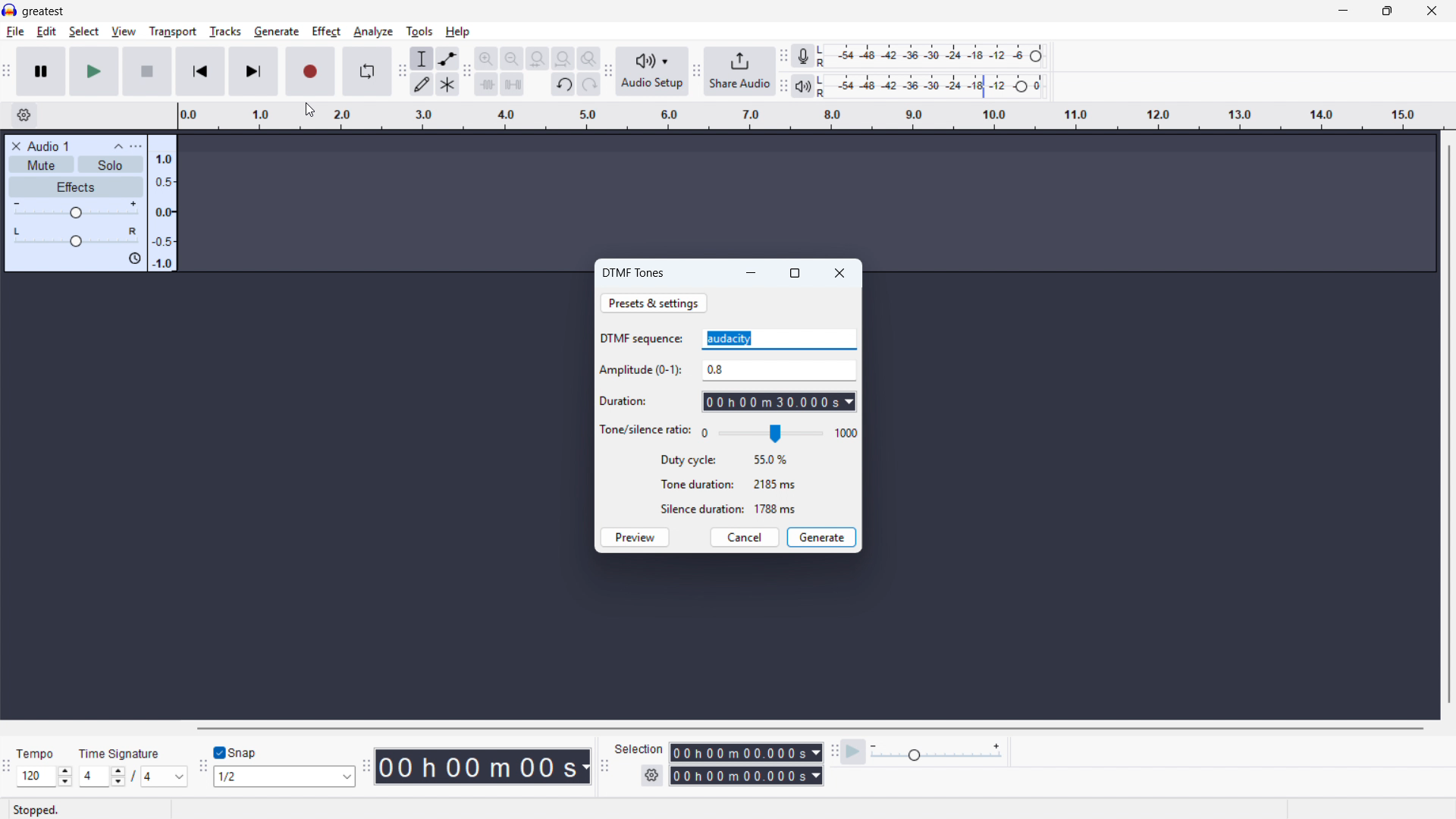 The image size is (1456, 819). I want to click on Selection settings , so click(651, 775).